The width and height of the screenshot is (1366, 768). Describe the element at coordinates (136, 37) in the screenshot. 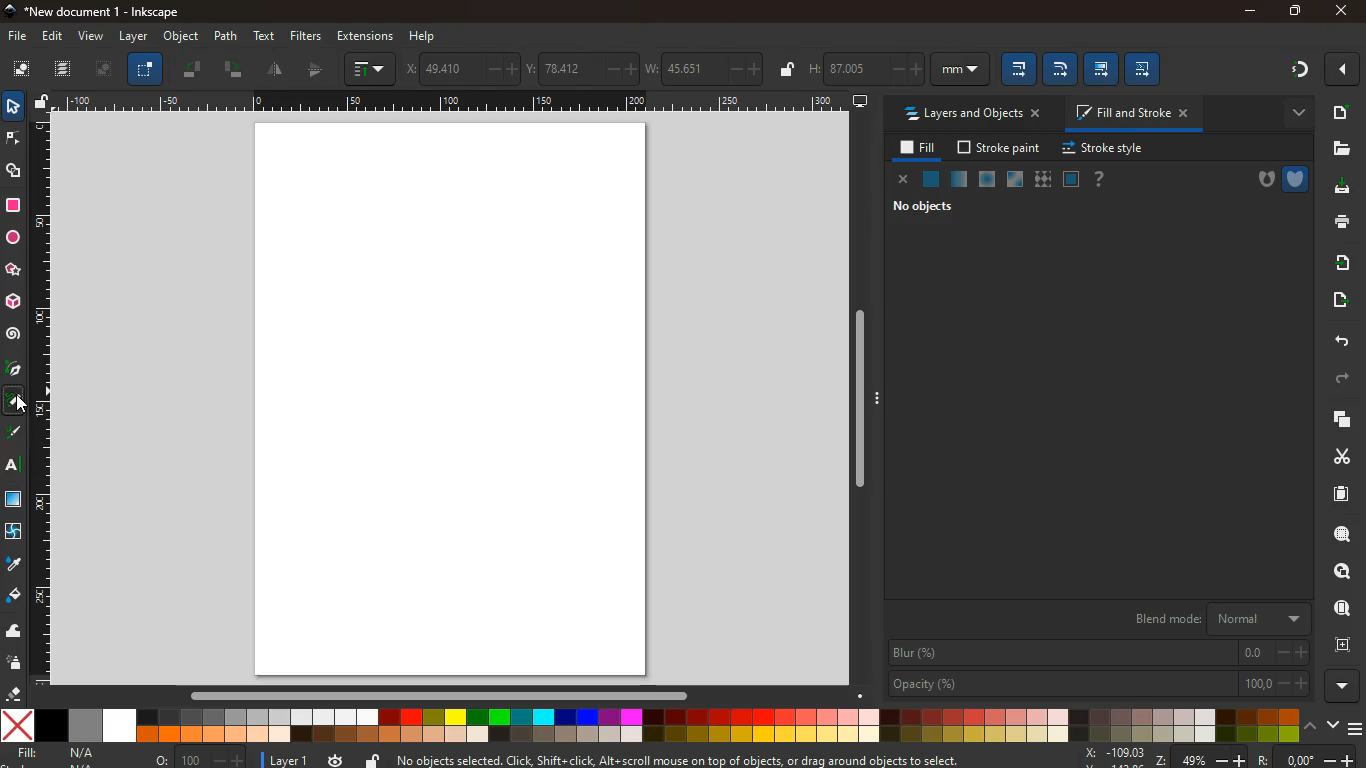

I see `layer` at that location.